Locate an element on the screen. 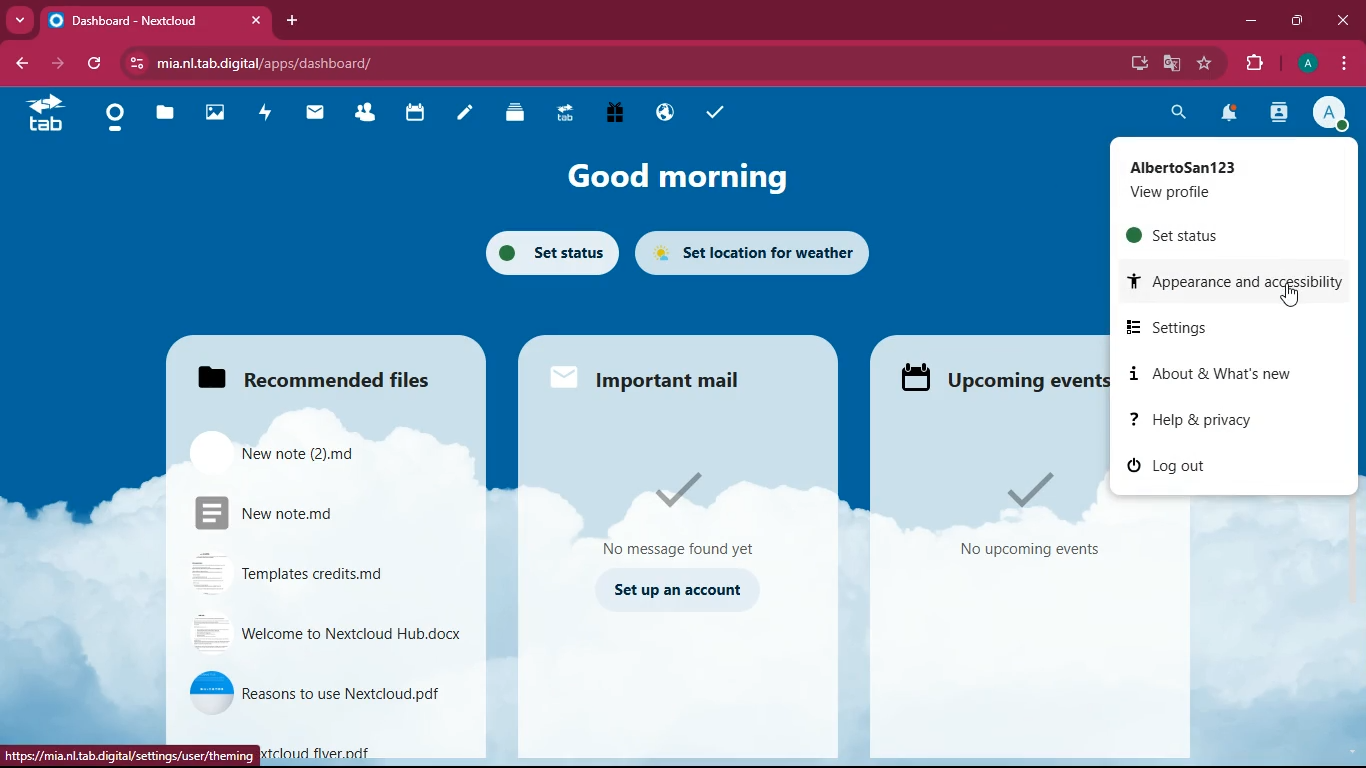  close is located at coordinates (1346, 21).